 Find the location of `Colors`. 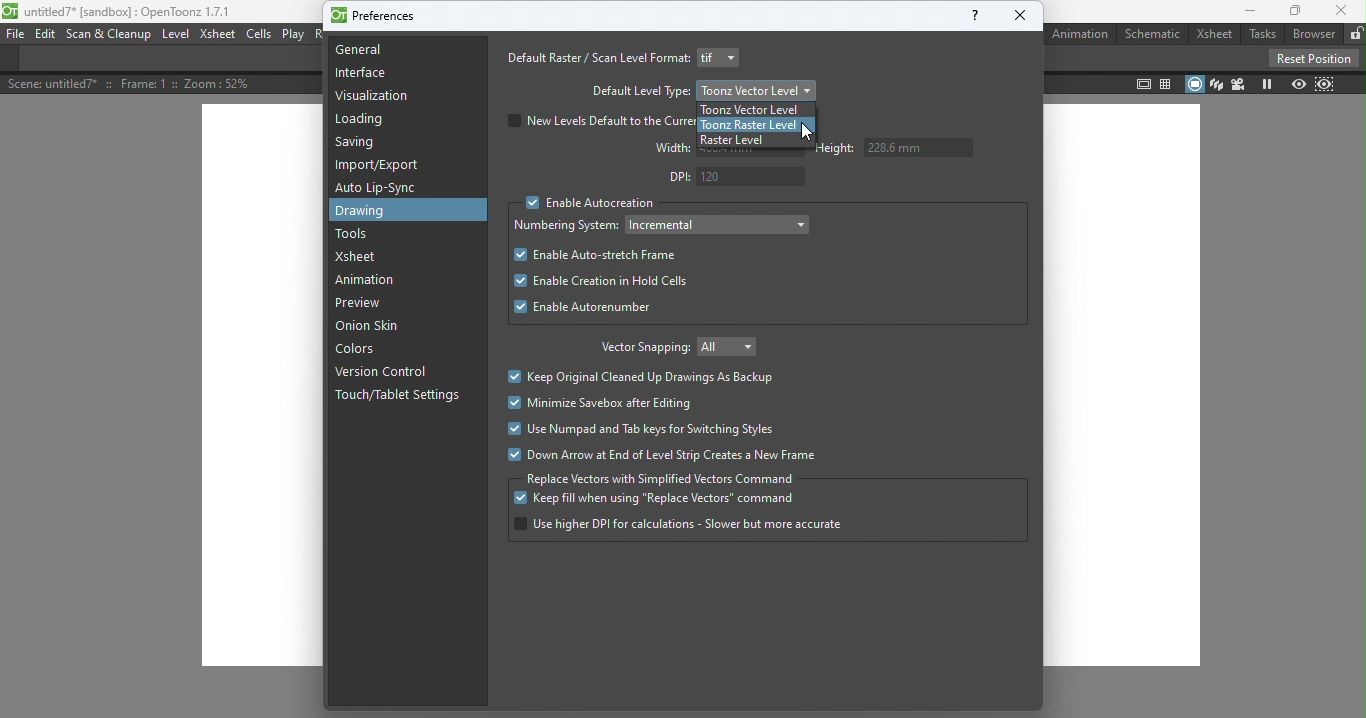

Colors is located at coordinates (363, 351).